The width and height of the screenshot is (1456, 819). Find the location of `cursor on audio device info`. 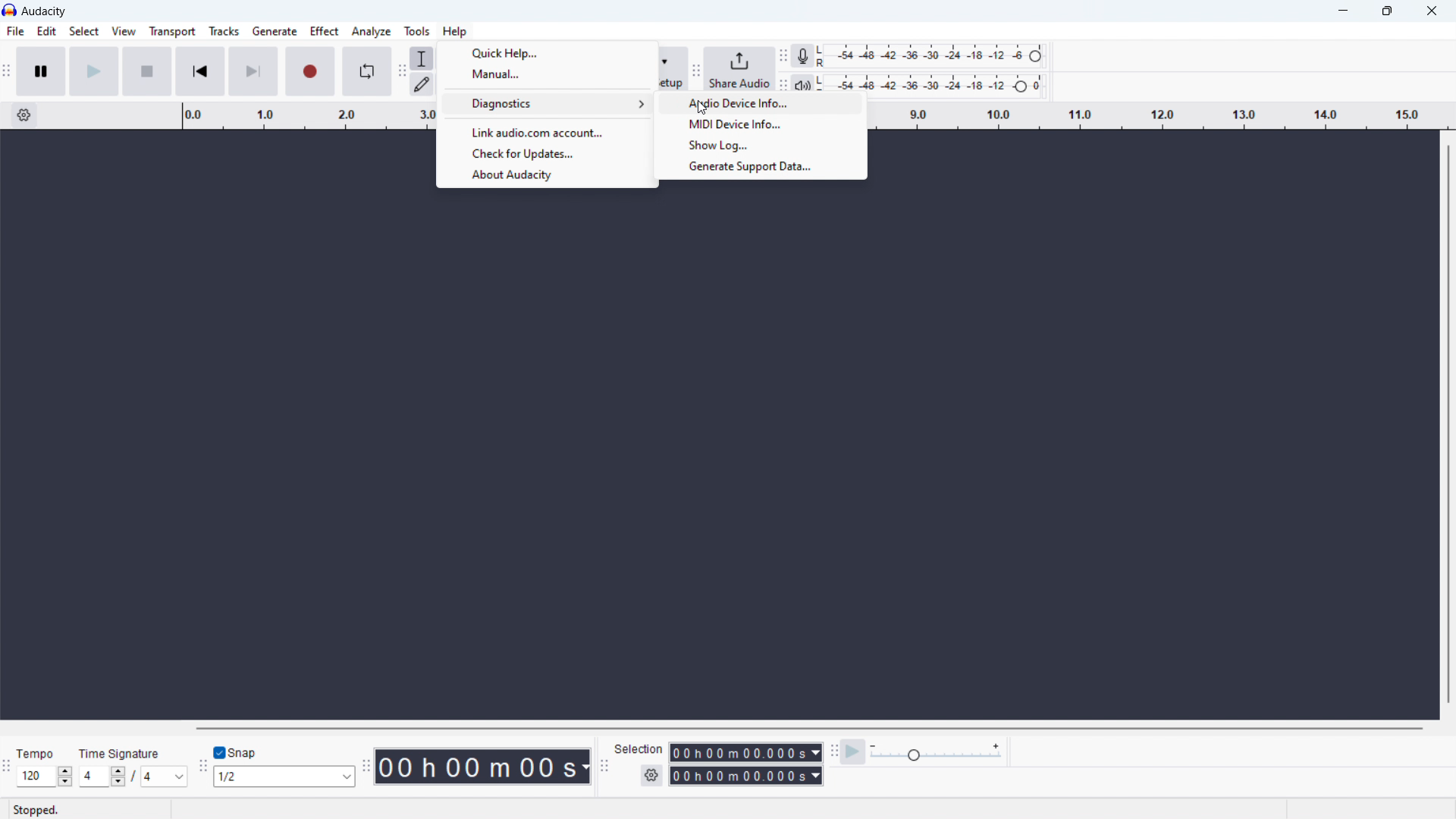

cursor on audio device info is located at coordinates (764, 105).